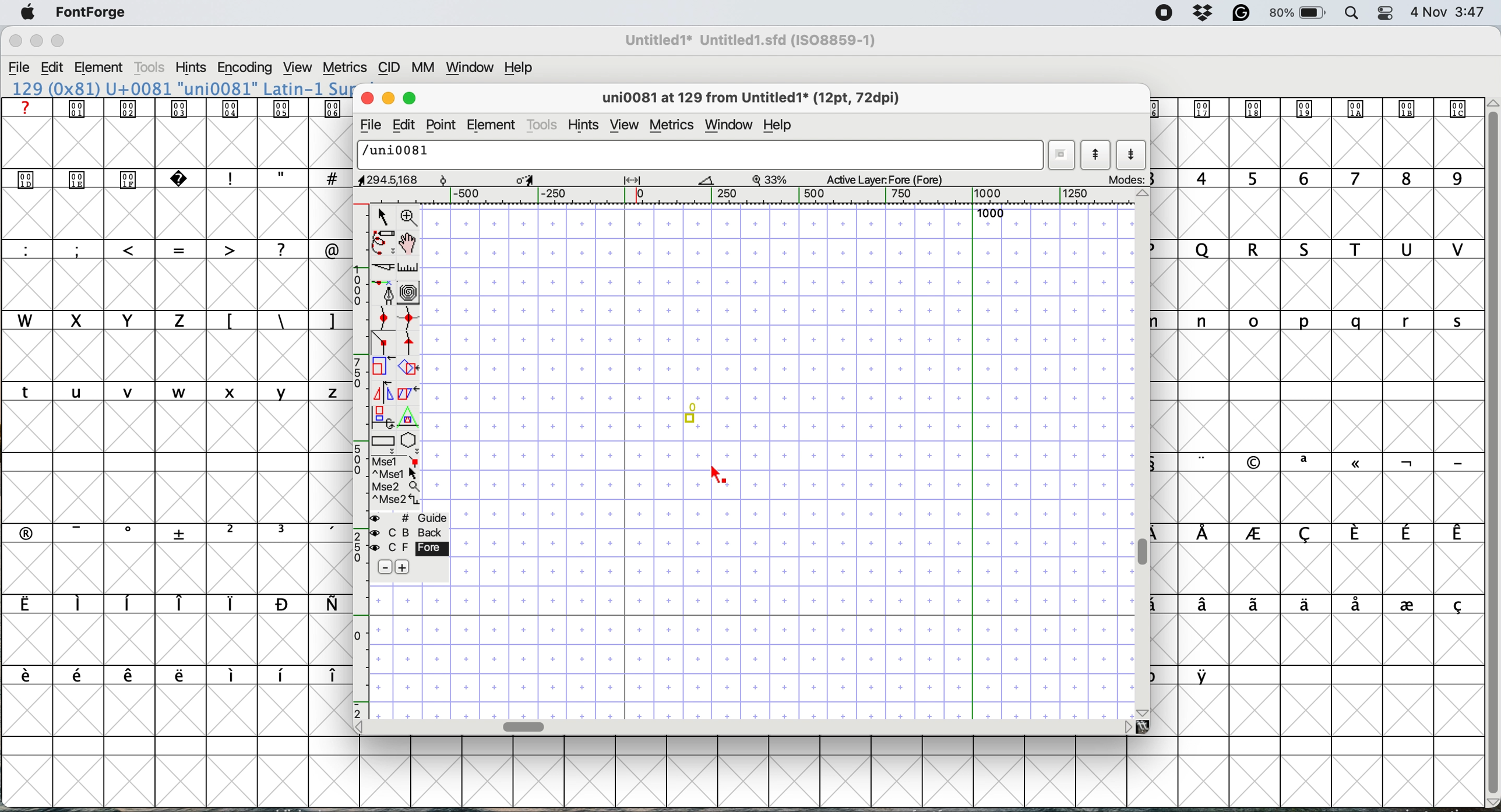  What do you see at coordinates (584, 124) in the screenshot?
I see `hints` at bounding box center [584, 124].